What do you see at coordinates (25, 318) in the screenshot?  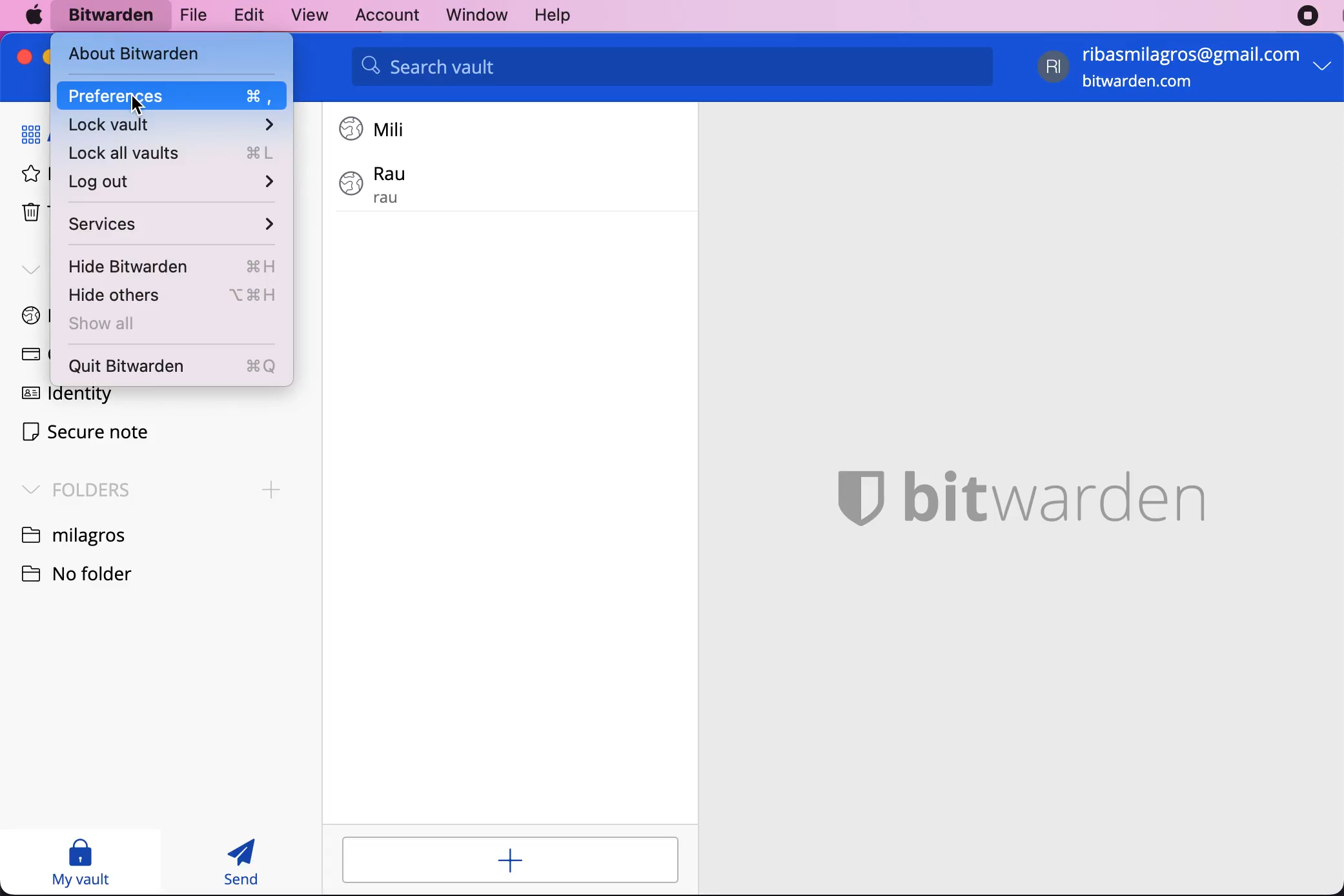 I see `login` at bounding box center [25, 318].